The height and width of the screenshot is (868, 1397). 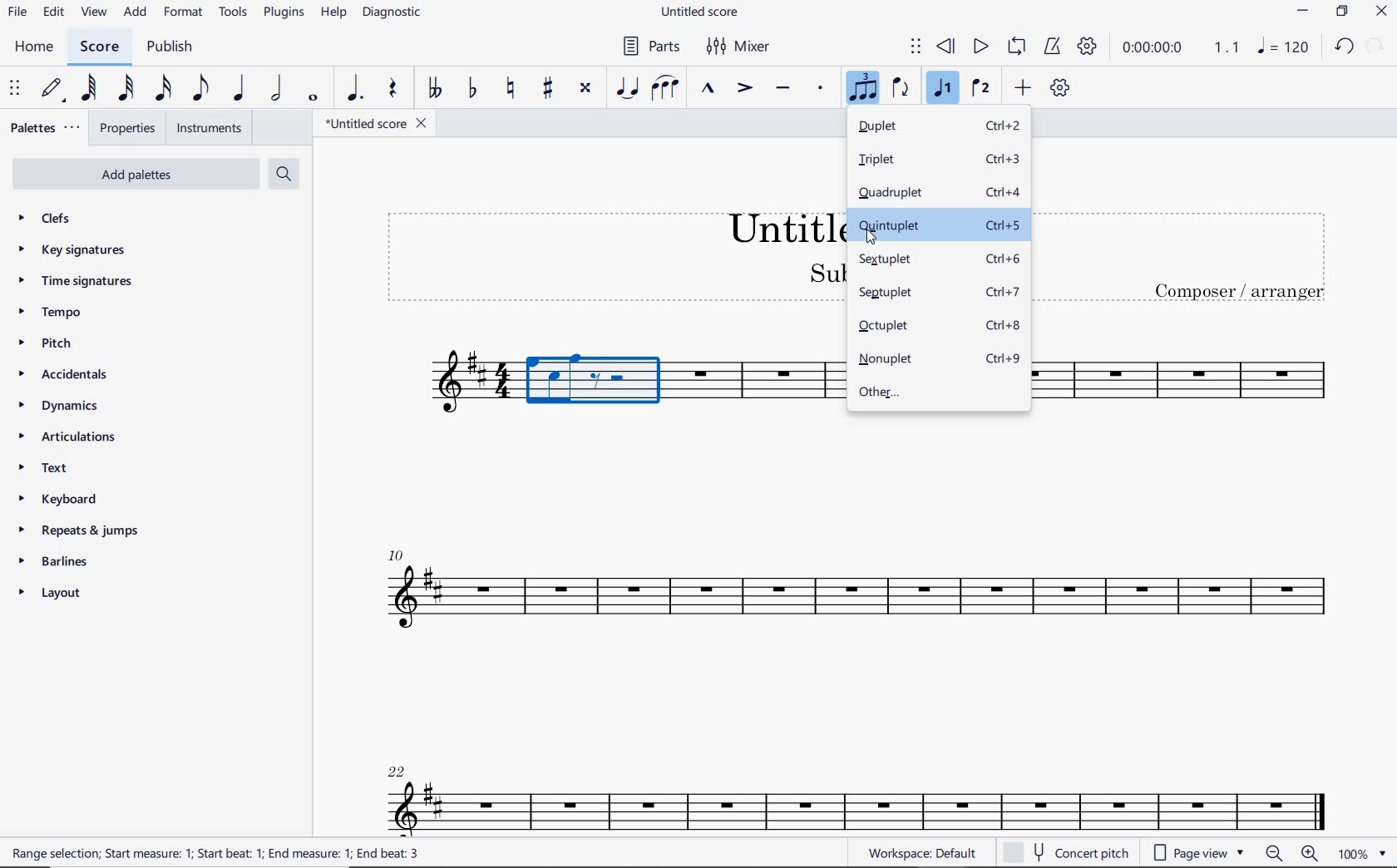 What do you see at coordinates (277, 91) in the screenshot?
I see `HALF NOTE` at bounding box center [277, 91].